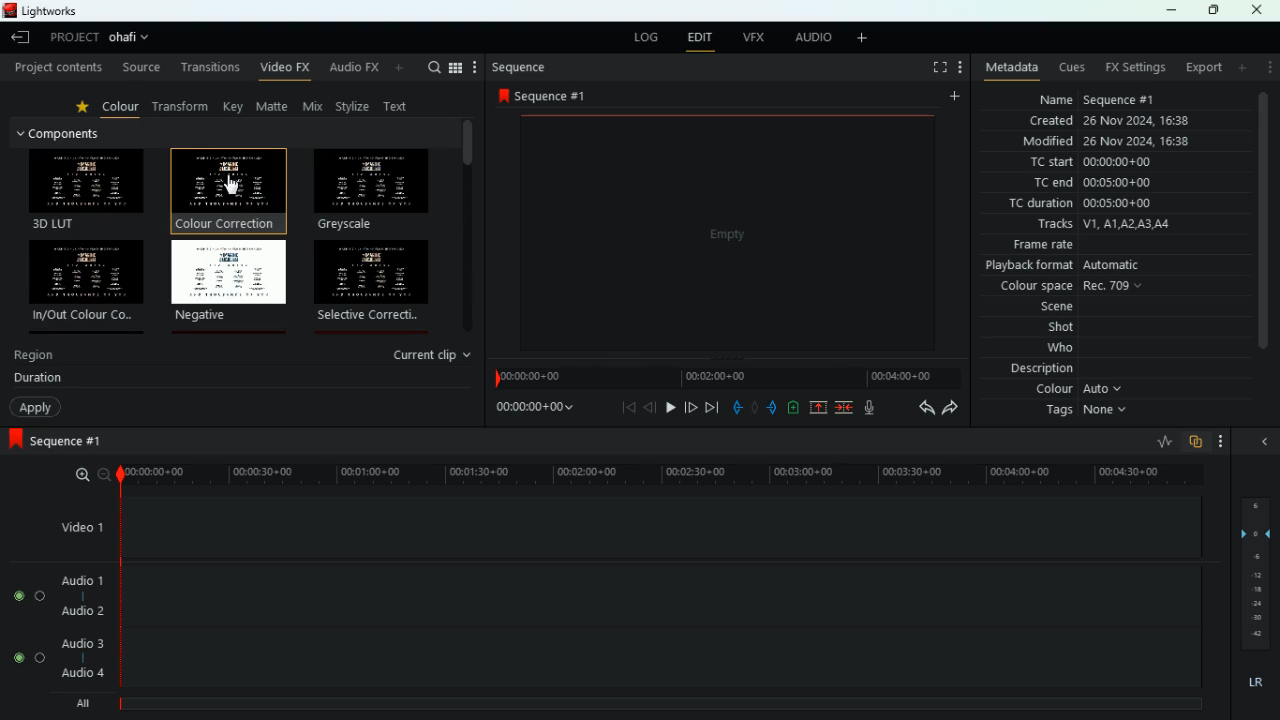  Describe the element at coordinates (921, 408) in the screenshot. I see `backward` at that location.